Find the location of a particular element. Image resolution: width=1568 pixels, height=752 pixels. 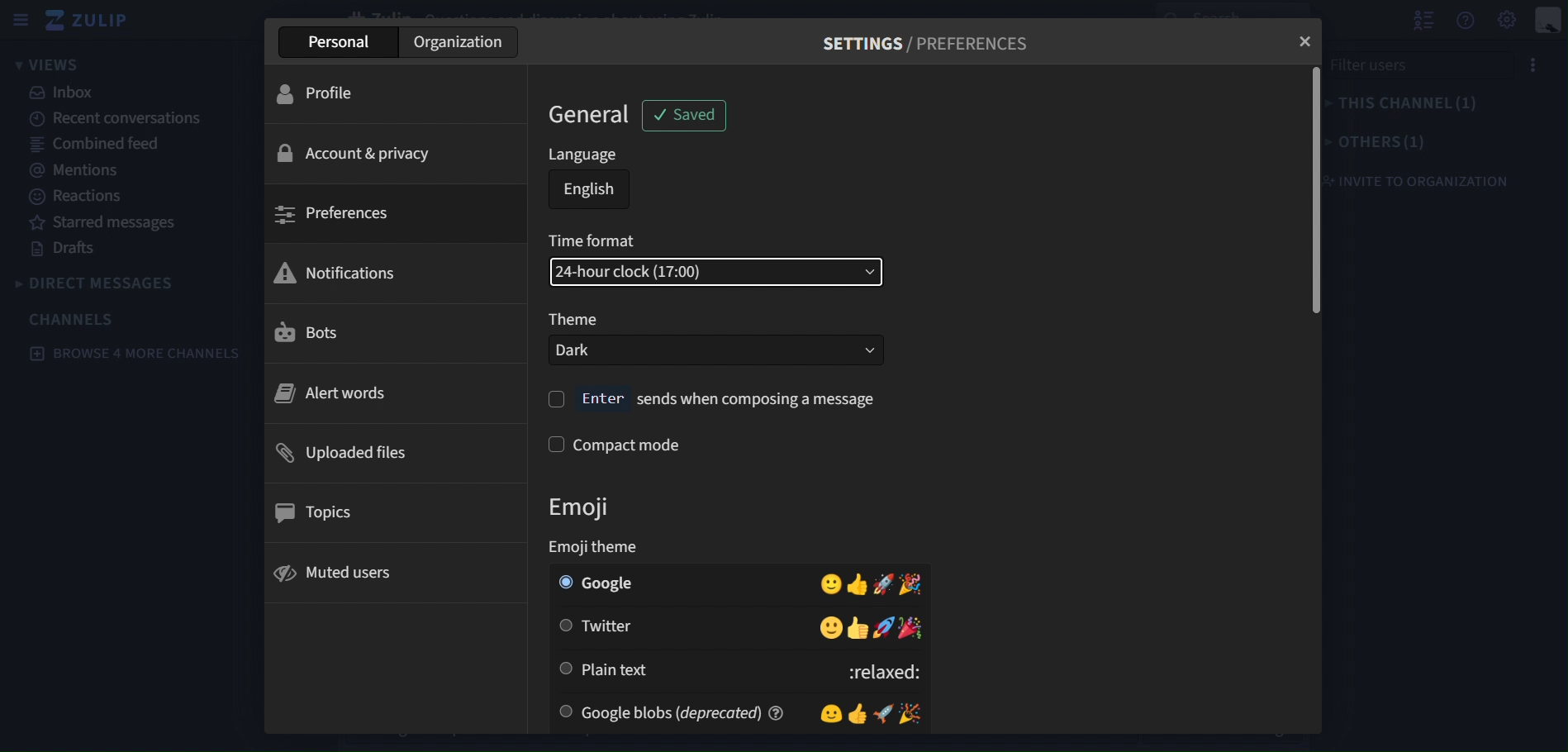

Organization is located at coordinates (455, 42).